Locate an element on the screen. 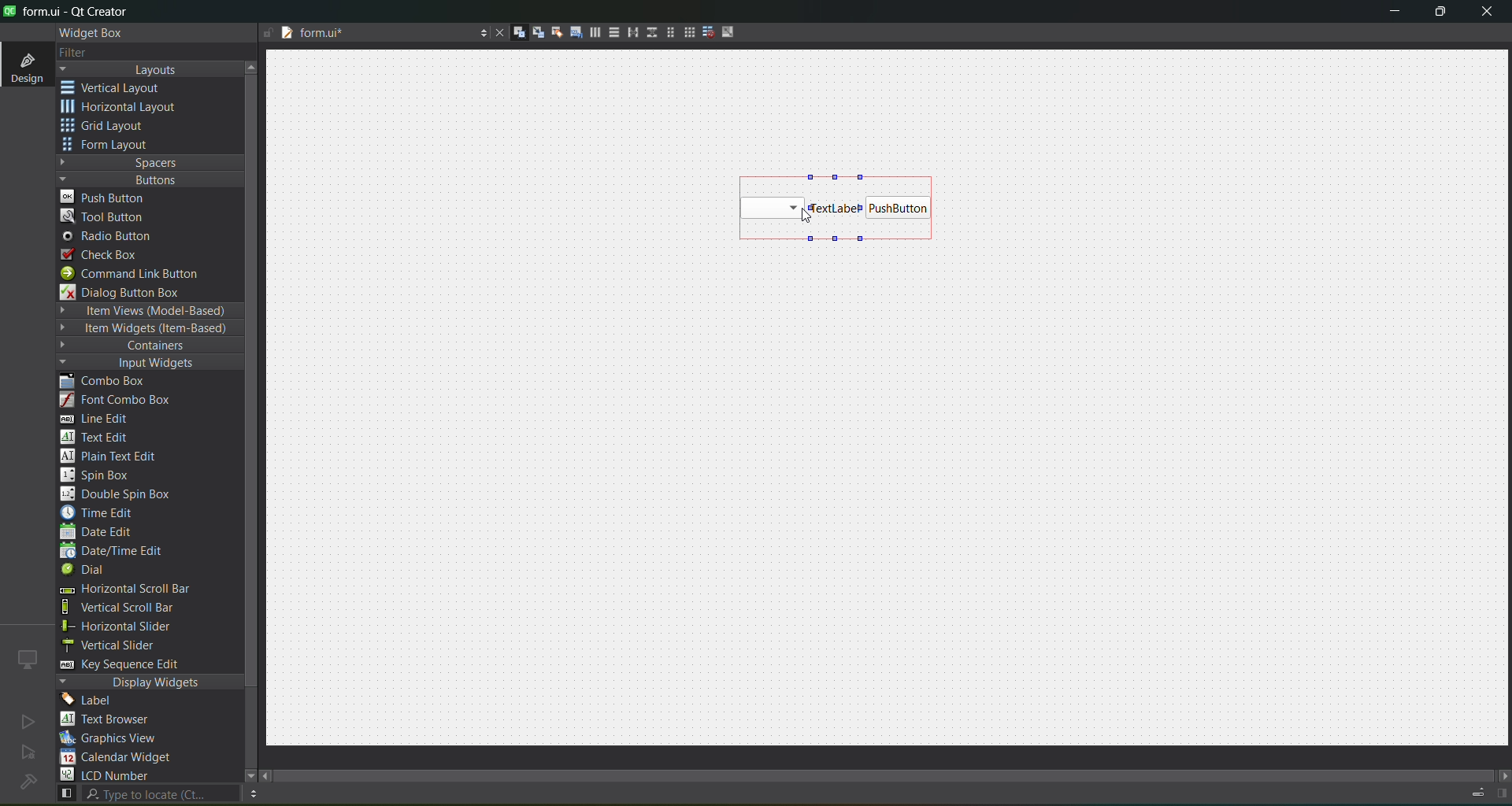 The width and height of the screenshot is (1512, 806). maximize is located at coordinates (1441, 14).